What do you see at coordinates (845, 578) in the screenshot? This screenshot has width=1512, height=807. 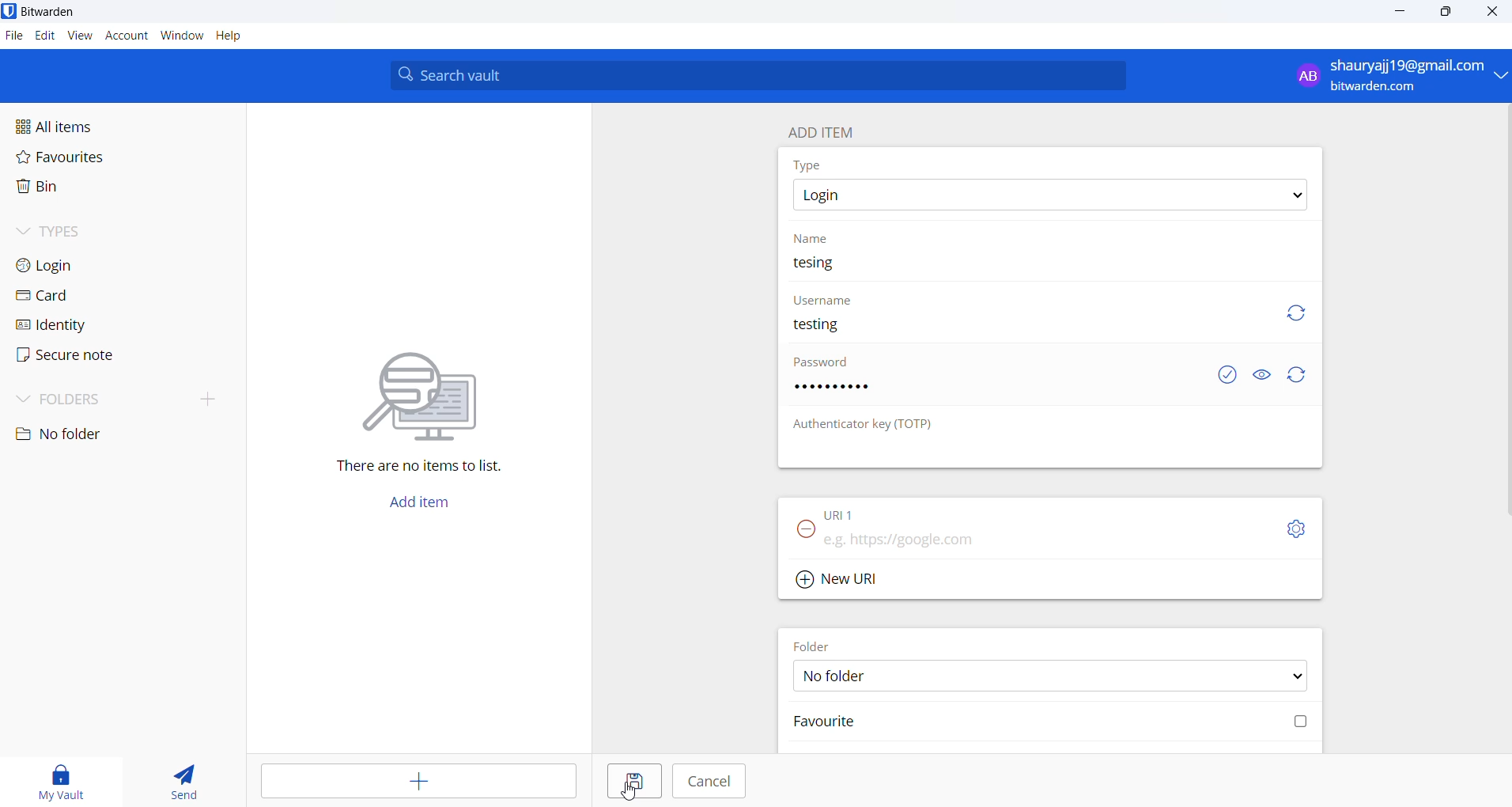 I see `add new URL` at bounding box center [845, 578].